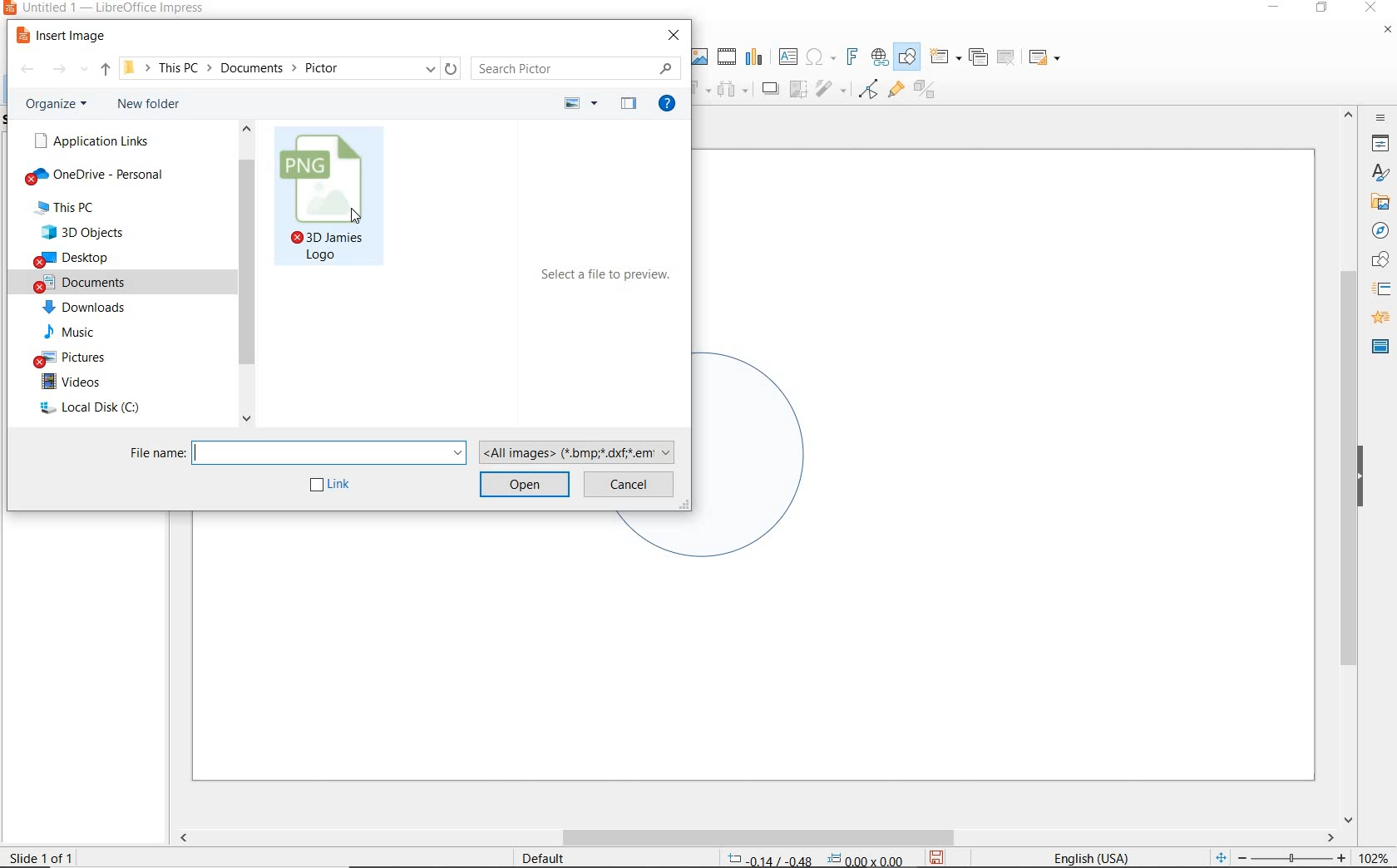  I want to click on CANCEL, so click(629, 483).